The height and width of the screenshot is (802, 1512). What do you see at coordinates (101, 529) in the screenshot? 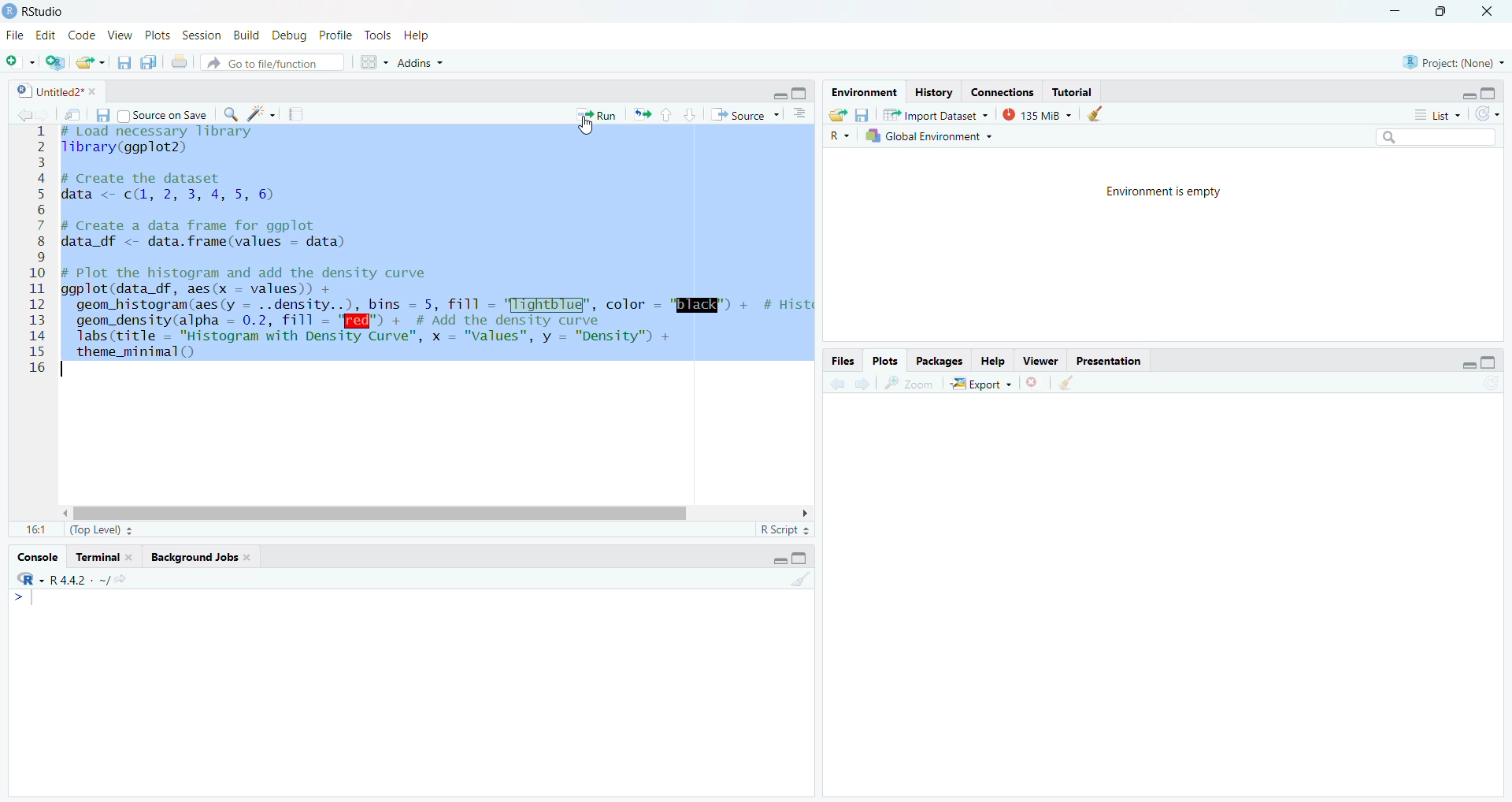
I see `(Top Level)` at bounding box center [101, 529].